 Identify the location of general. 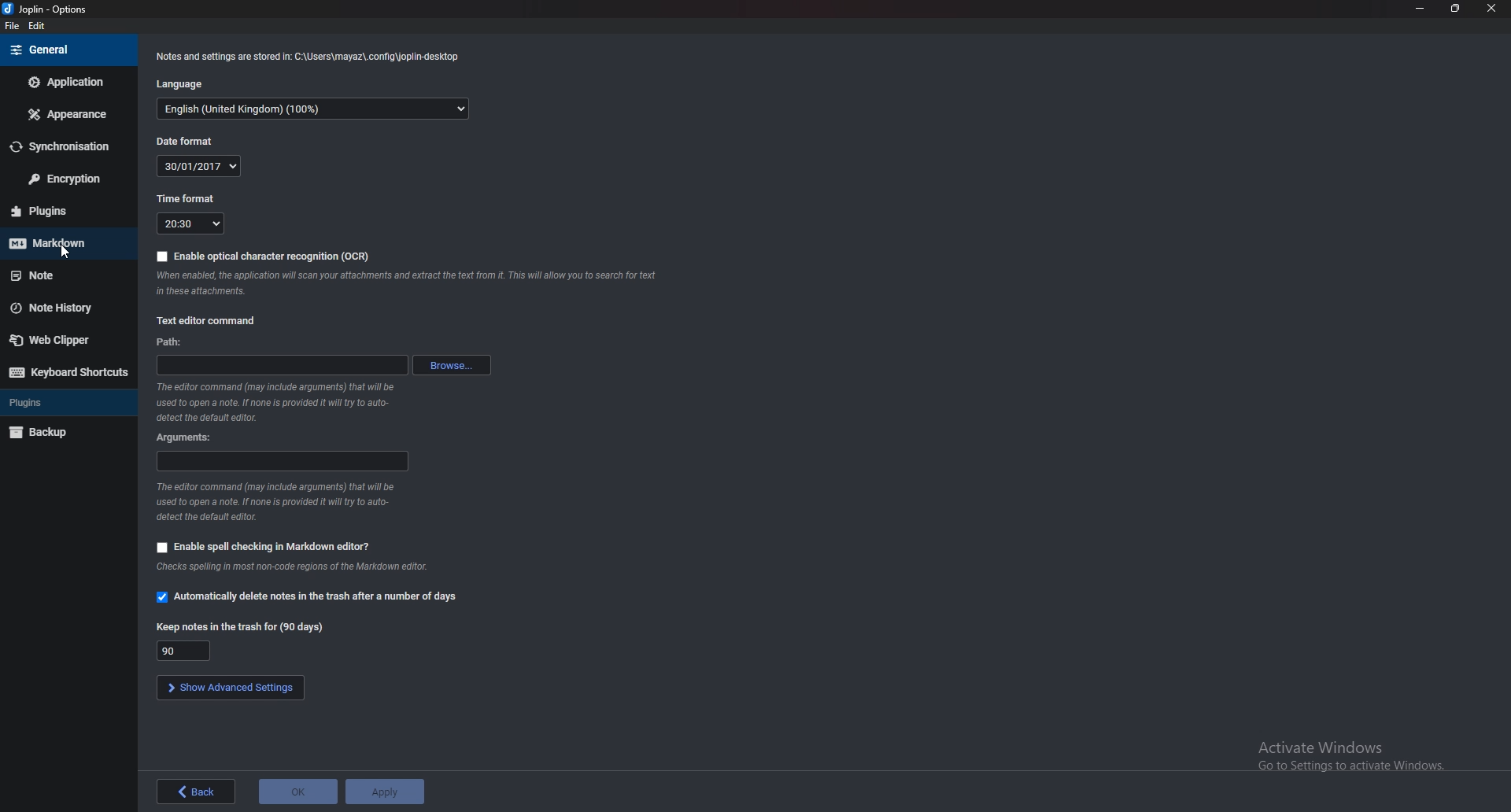
(68, 50).